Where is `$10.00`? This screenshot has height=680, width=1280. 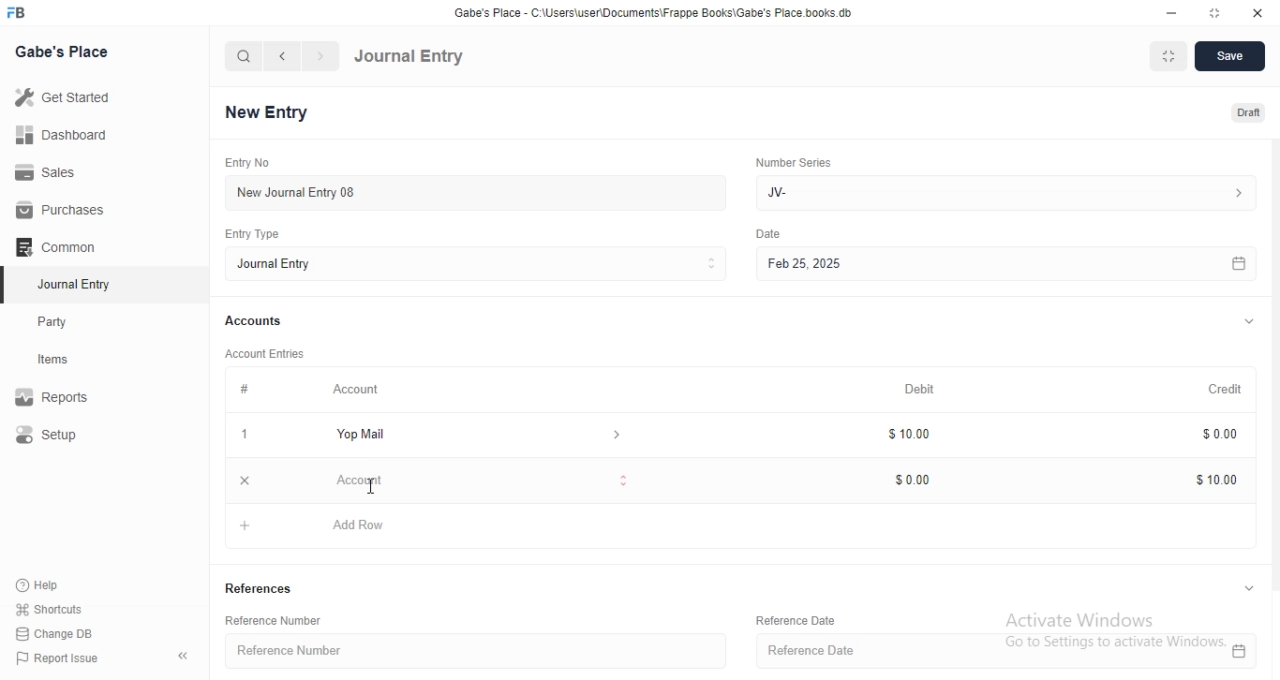
$10.00 is located at coordinates (911, 435).